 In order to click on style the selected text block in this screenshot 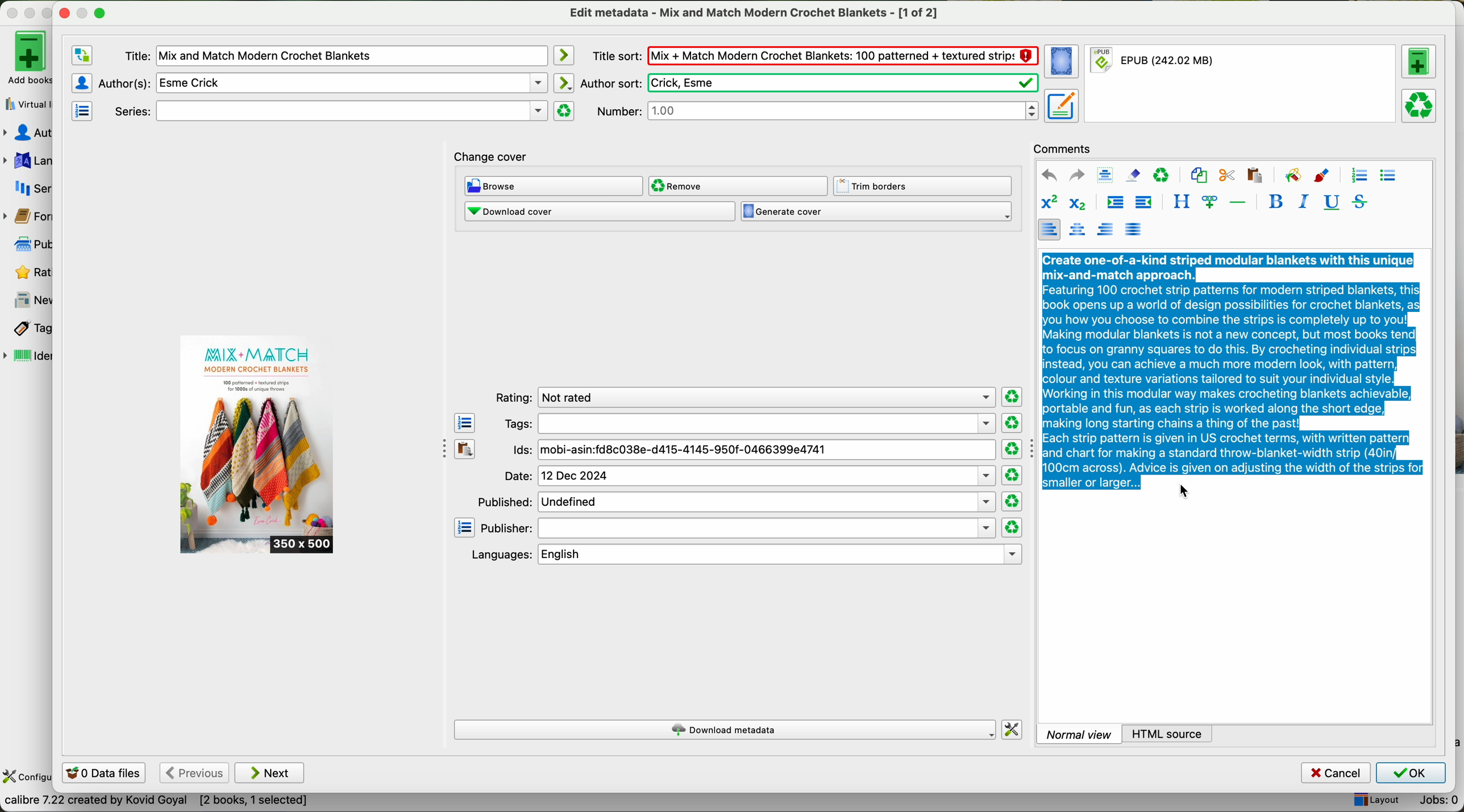, I will do `click(1180, 202)`.